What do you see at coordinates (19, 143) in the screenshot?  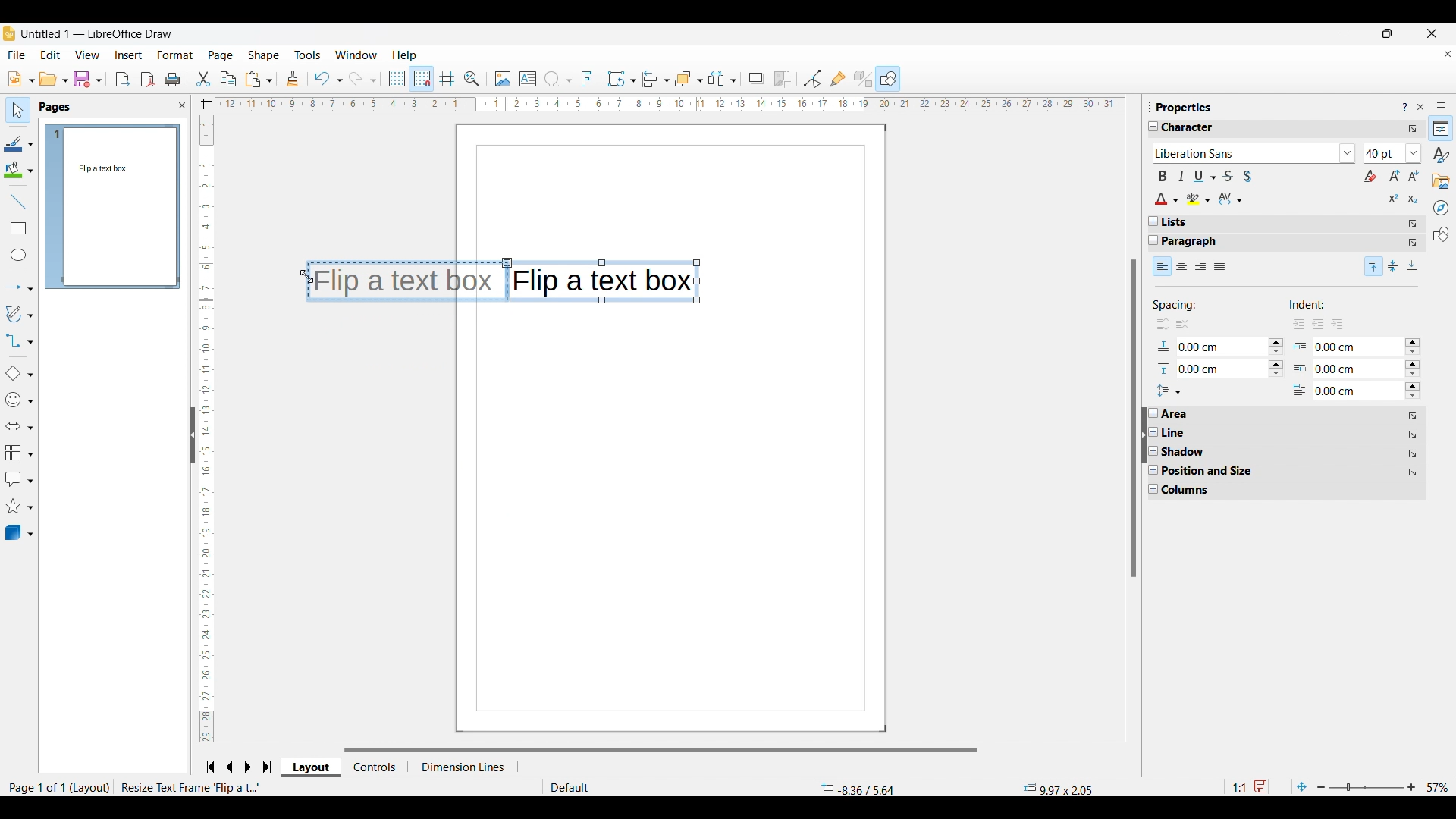 I see `Line color options` at bounding box center [19, 143].